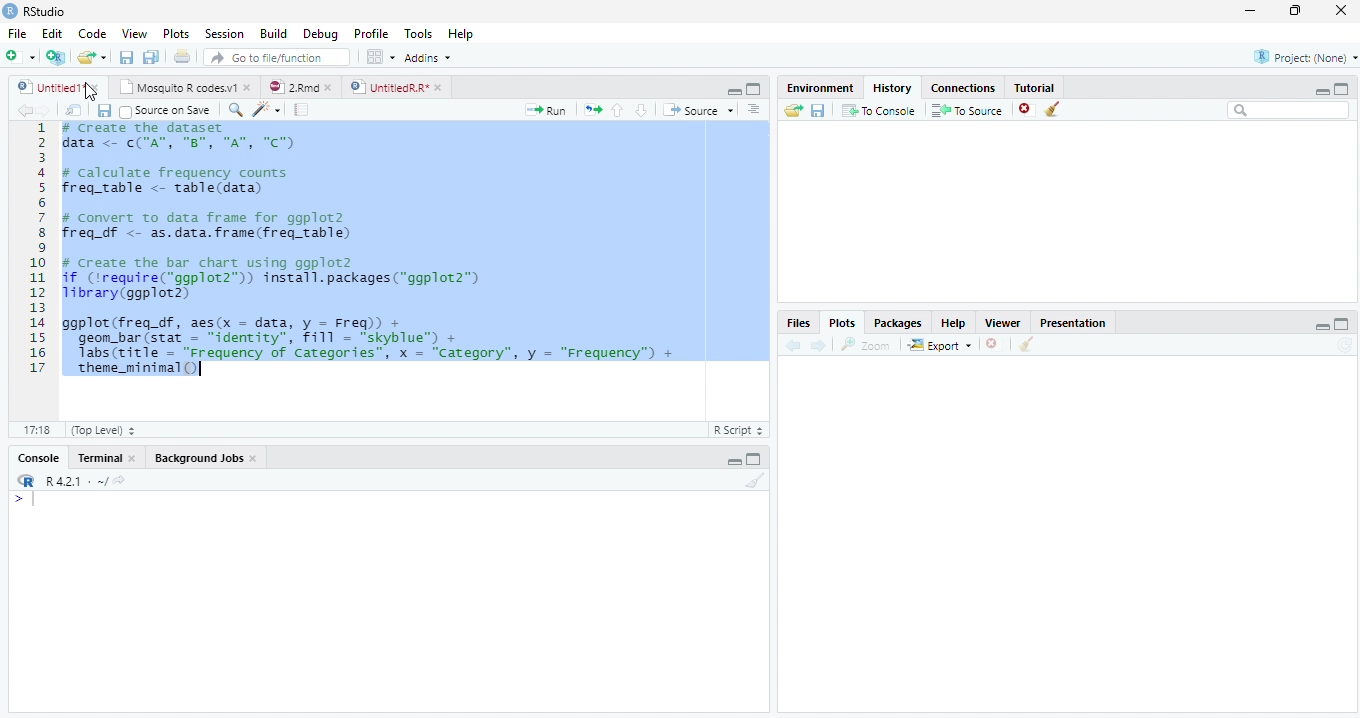  What do you see at coordinates (1008, 324) in the screenshot?
I see `Viewer` at bounding box center [1008, 324].